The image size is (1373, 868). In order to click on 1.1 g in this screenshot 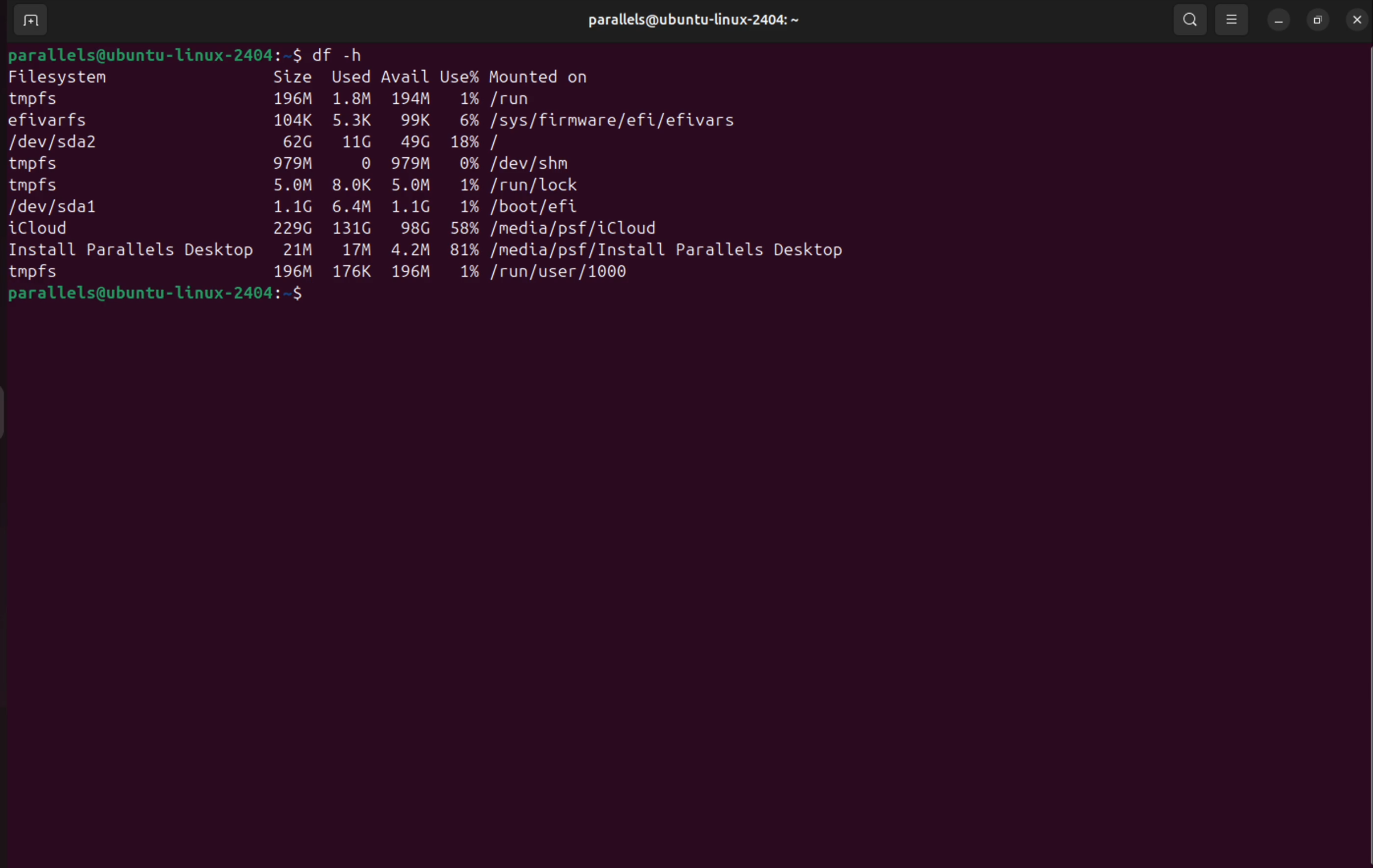, I will do `click(416, 207)`.